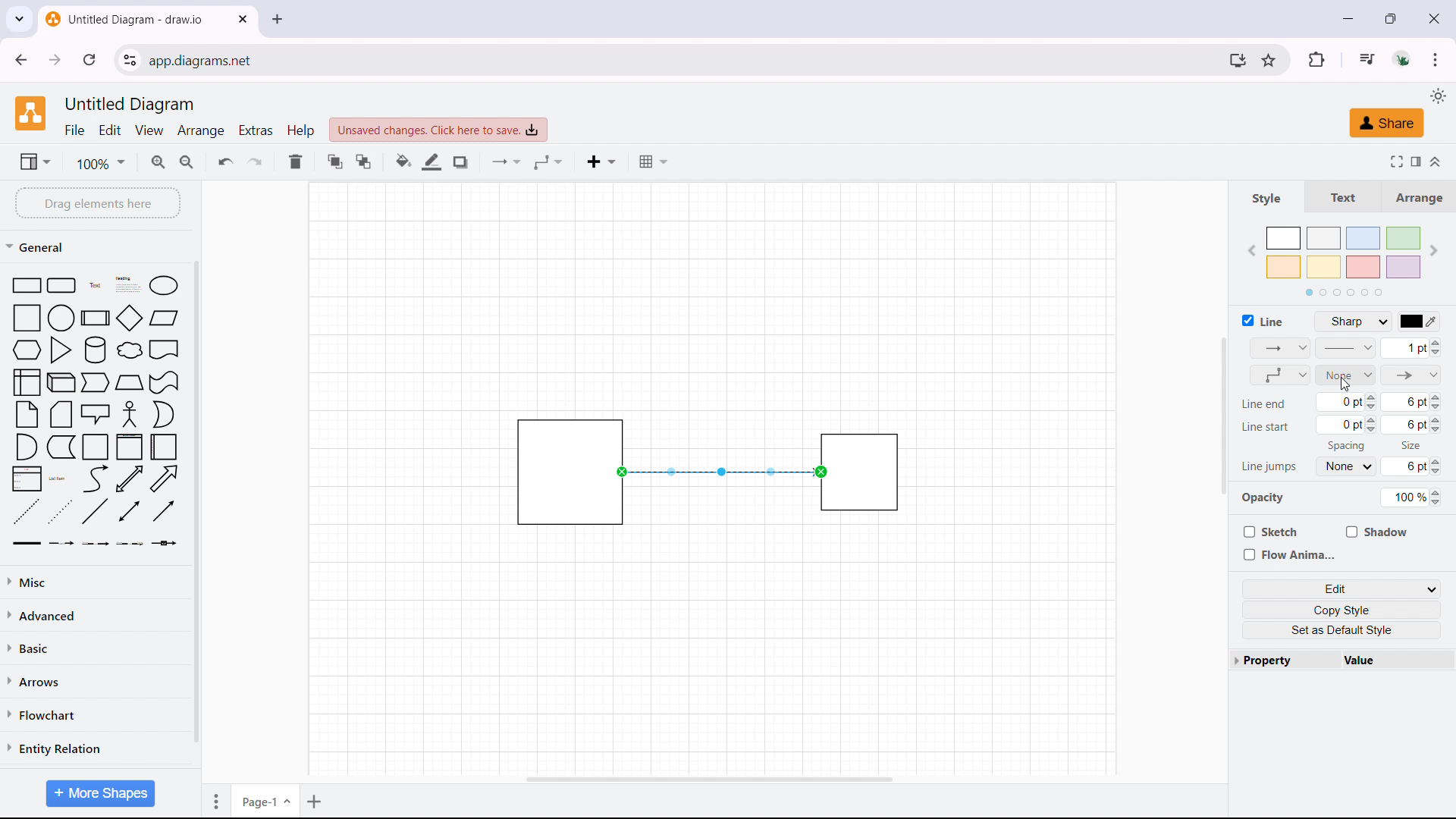  I want to click on to back, so click(363, 162).